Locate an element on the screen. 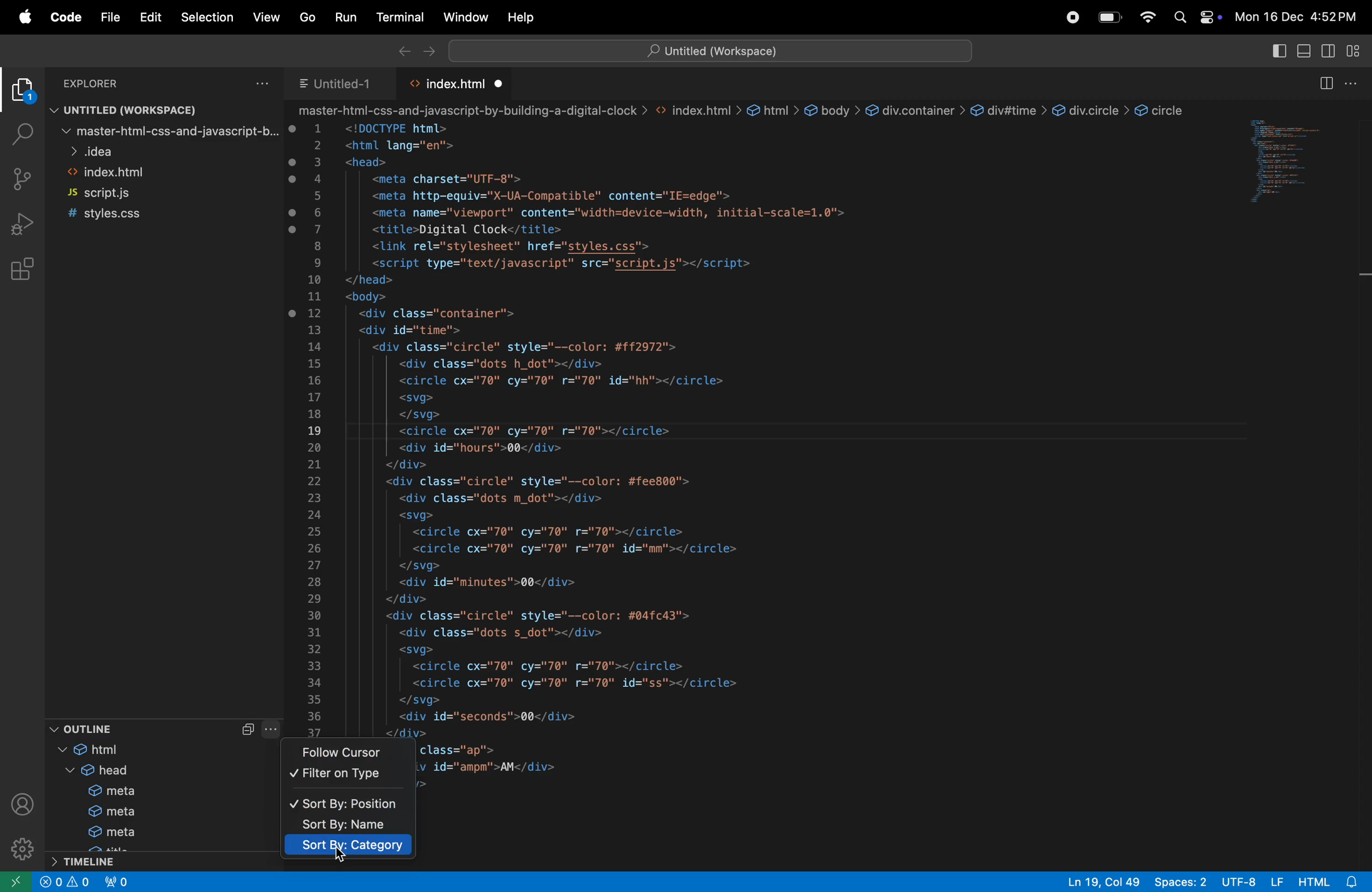 The height and width of the screenshot is (892, 1372). help is located at coordinates (522, 17).